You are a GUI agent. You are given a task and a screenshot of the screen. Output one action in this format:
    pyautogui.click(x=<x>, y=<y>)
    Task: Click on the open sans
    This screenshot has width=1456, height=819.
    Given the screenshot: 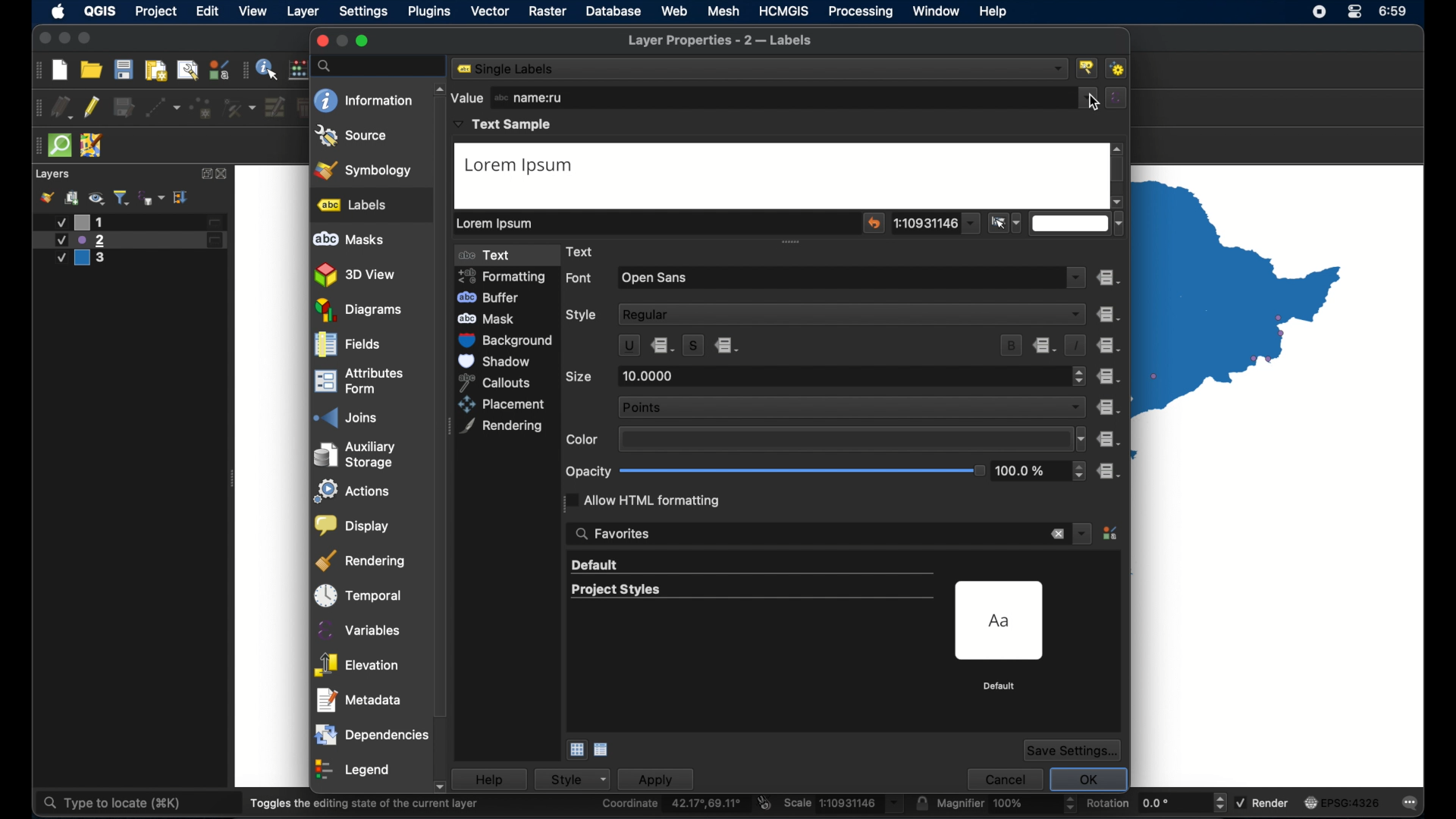 What is the action you would take?
    pyautogui.click(x=657, y=278)
    